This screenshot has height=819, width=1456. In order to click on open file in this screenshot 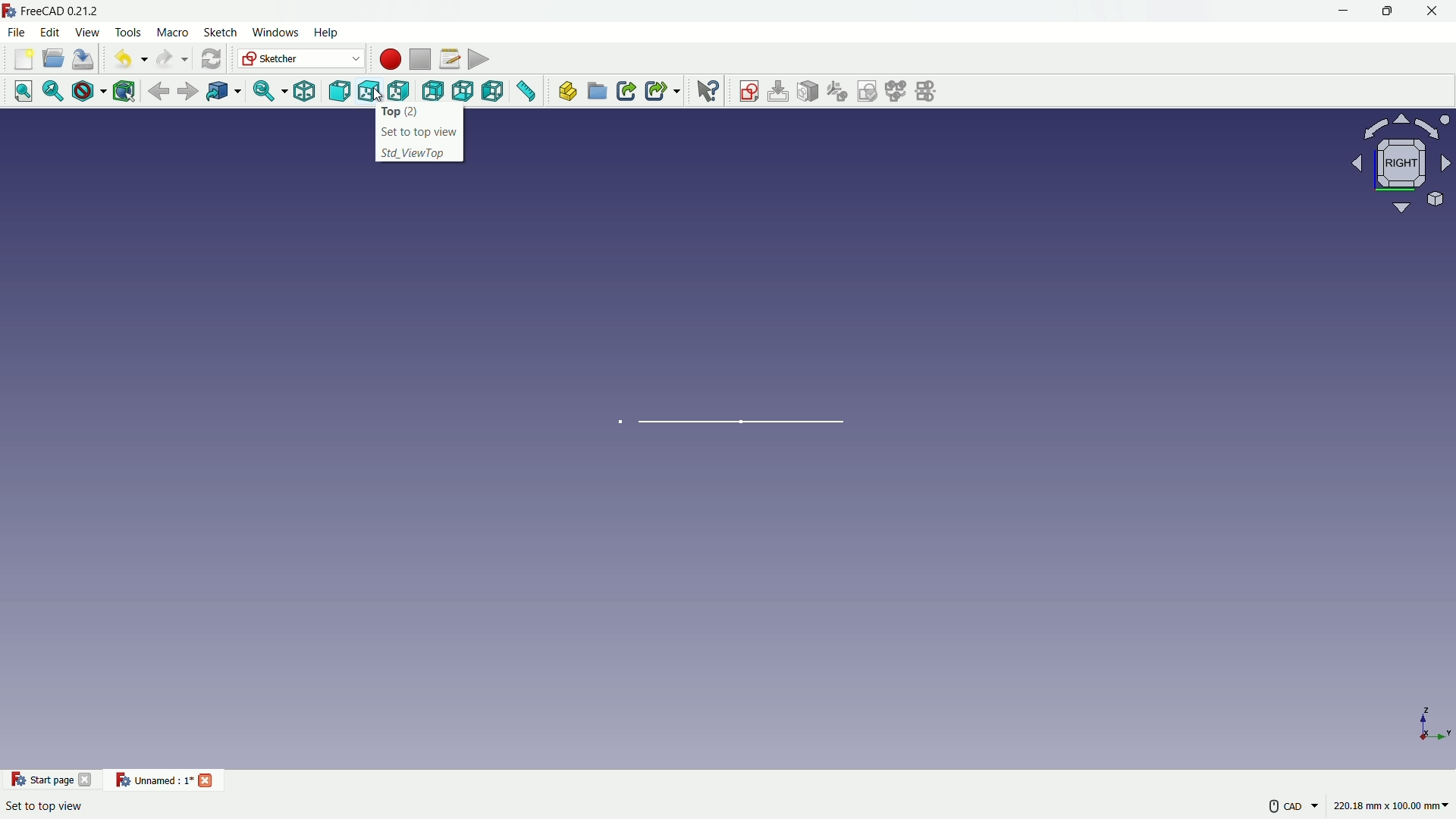, I will do `click(54, 59)`.